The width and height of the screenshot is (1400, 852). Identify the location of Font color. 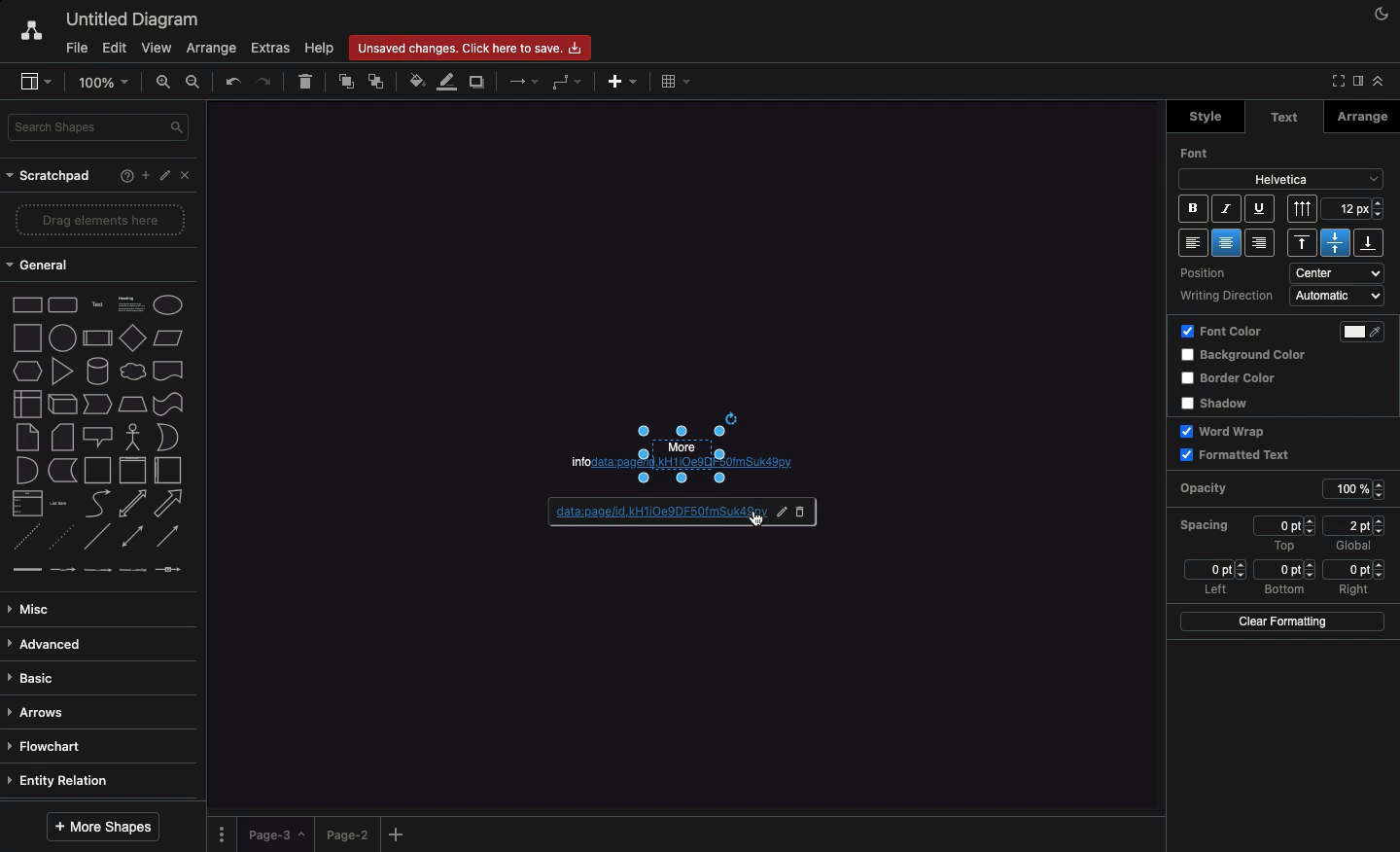
(1222, 333).